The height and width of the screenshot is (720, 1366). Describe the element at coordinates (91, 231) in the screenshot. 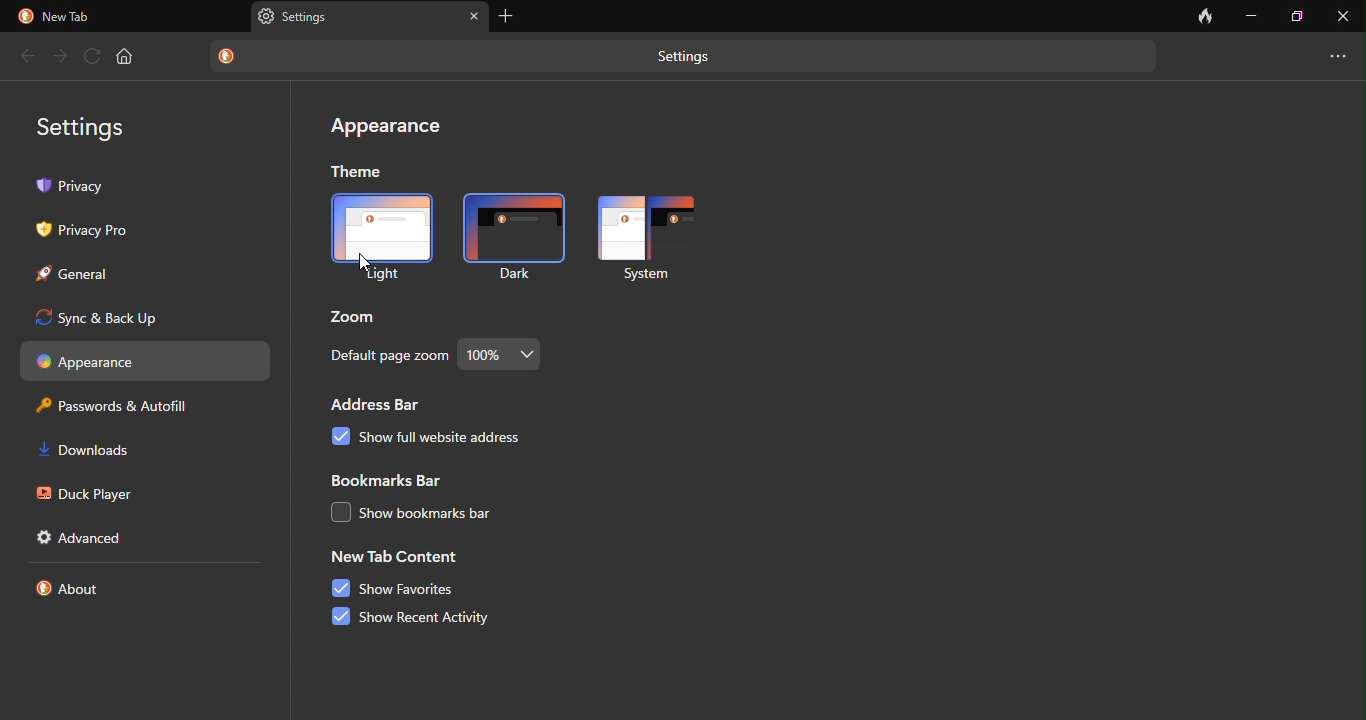

I see `privacy  pro` at that location.